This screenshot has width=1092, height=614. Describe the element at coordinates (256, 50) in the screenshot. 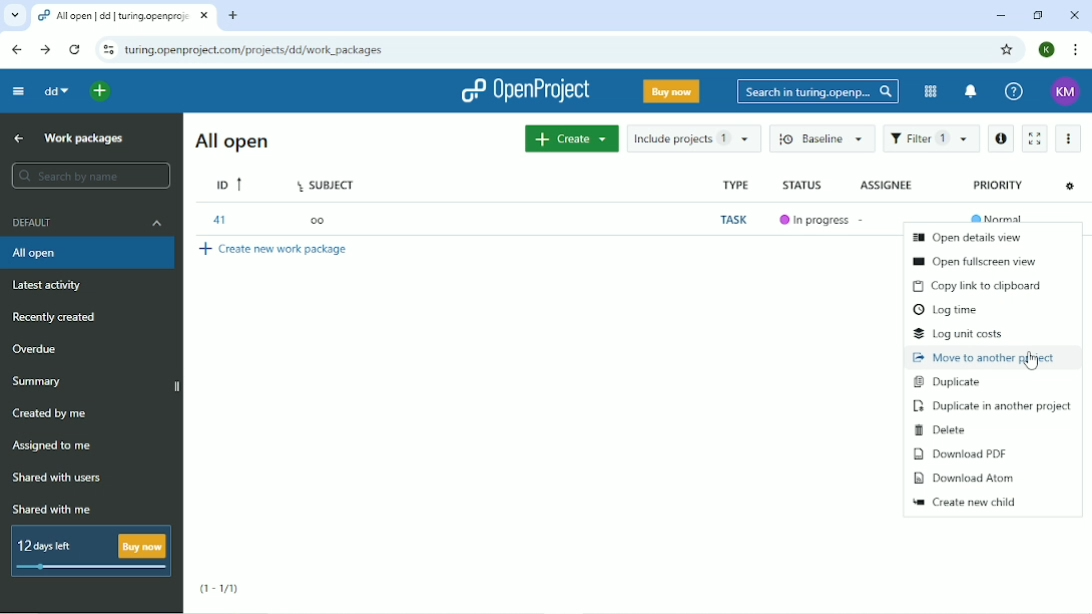

I see `Site` at that location.